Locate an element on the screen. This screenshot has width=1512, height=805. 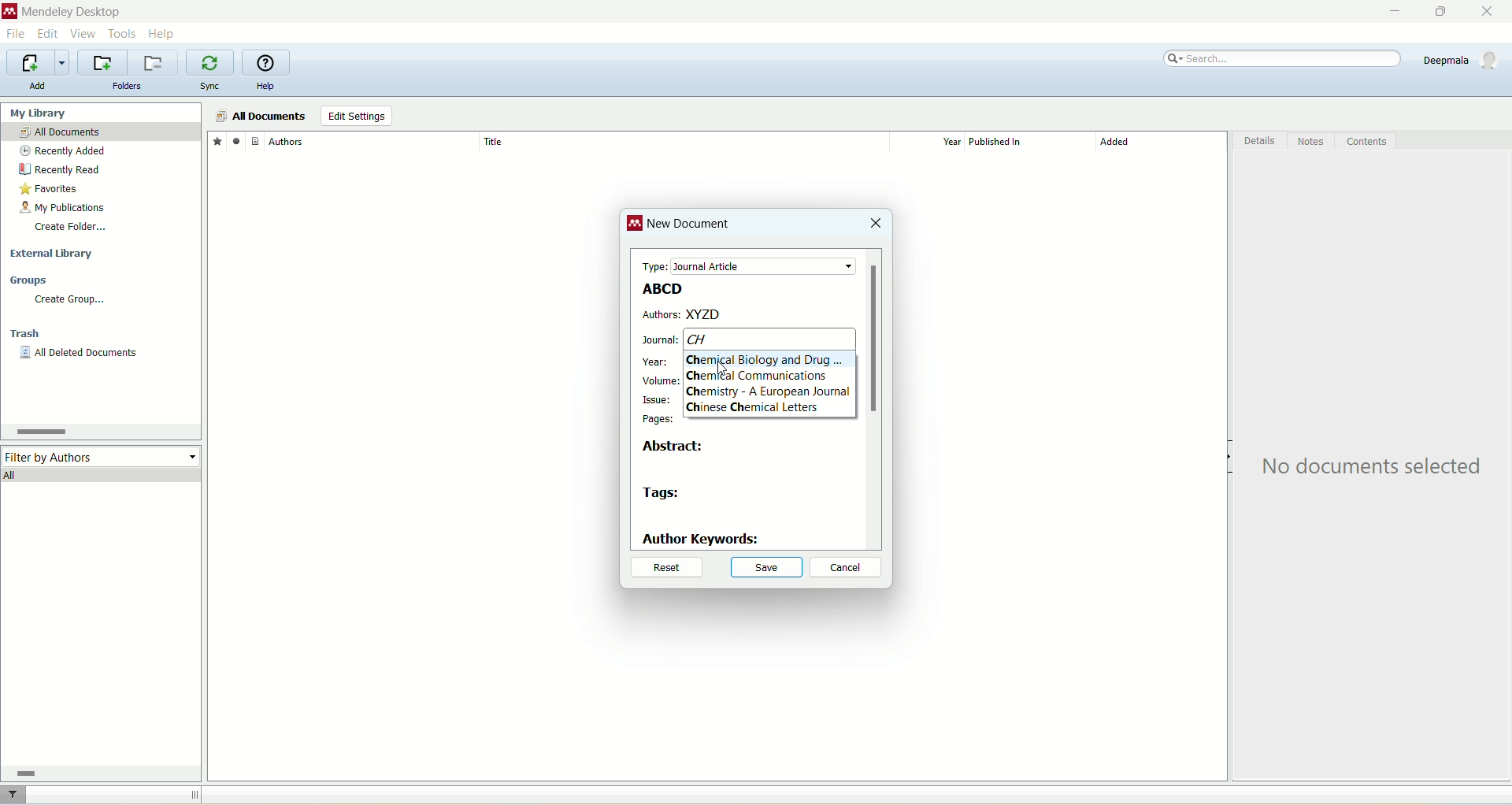
pages is located at coordinates (656, 421).